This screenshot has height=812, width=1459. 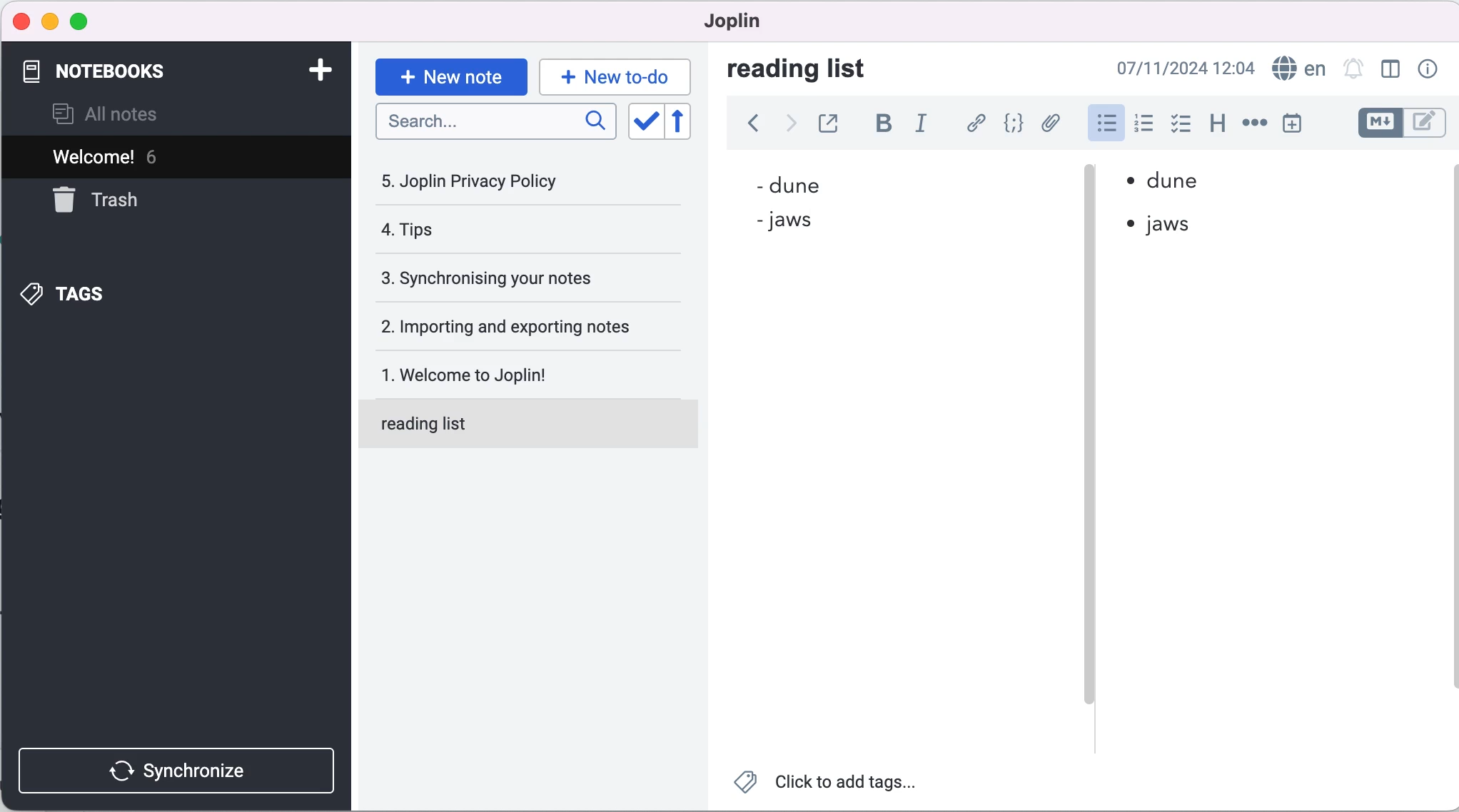 I want to click on trash, so click(x=111, y=206).